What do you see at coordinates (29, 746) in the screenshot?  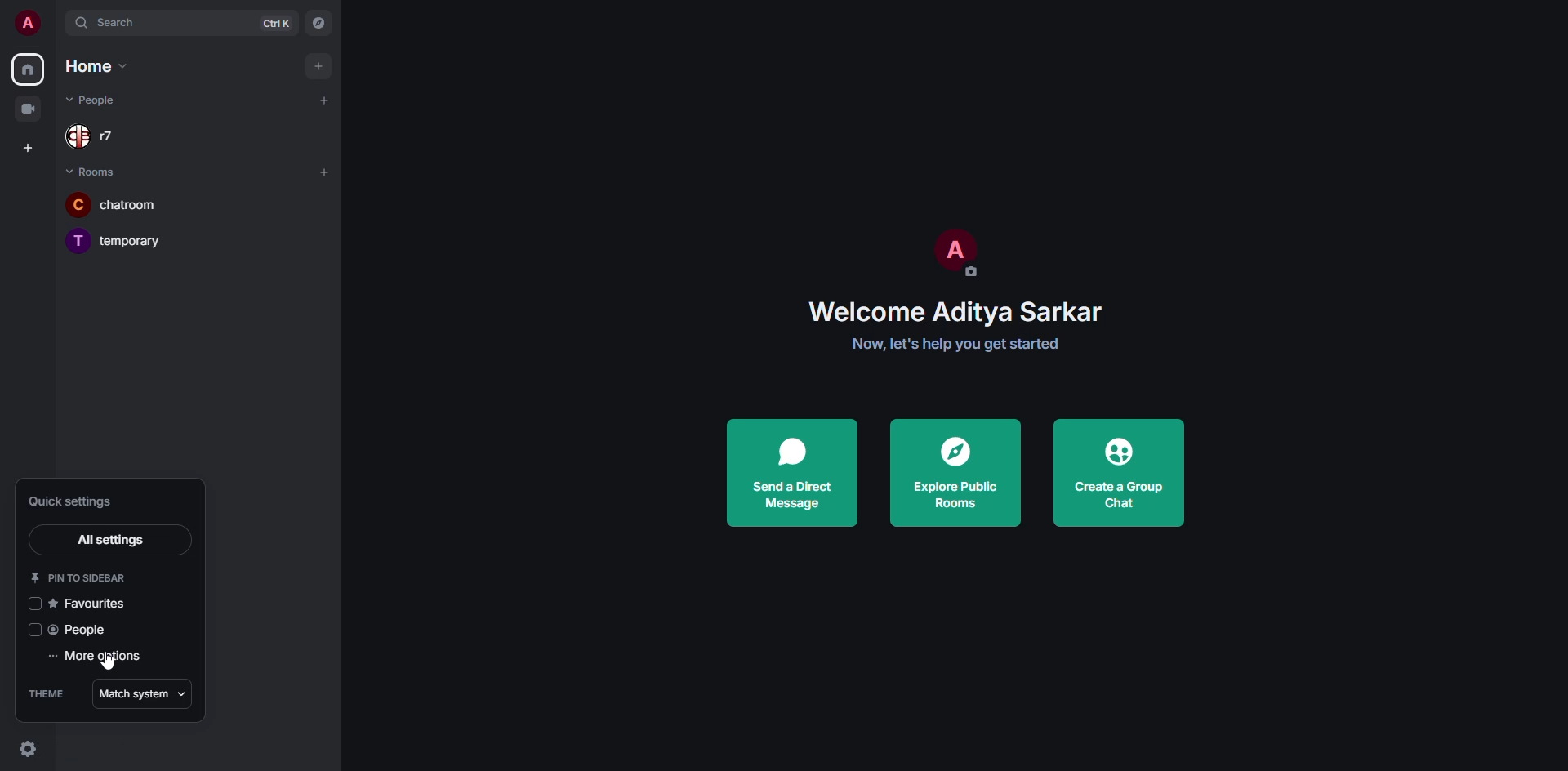 I see `quick settings` at bounding box center [29, 746].